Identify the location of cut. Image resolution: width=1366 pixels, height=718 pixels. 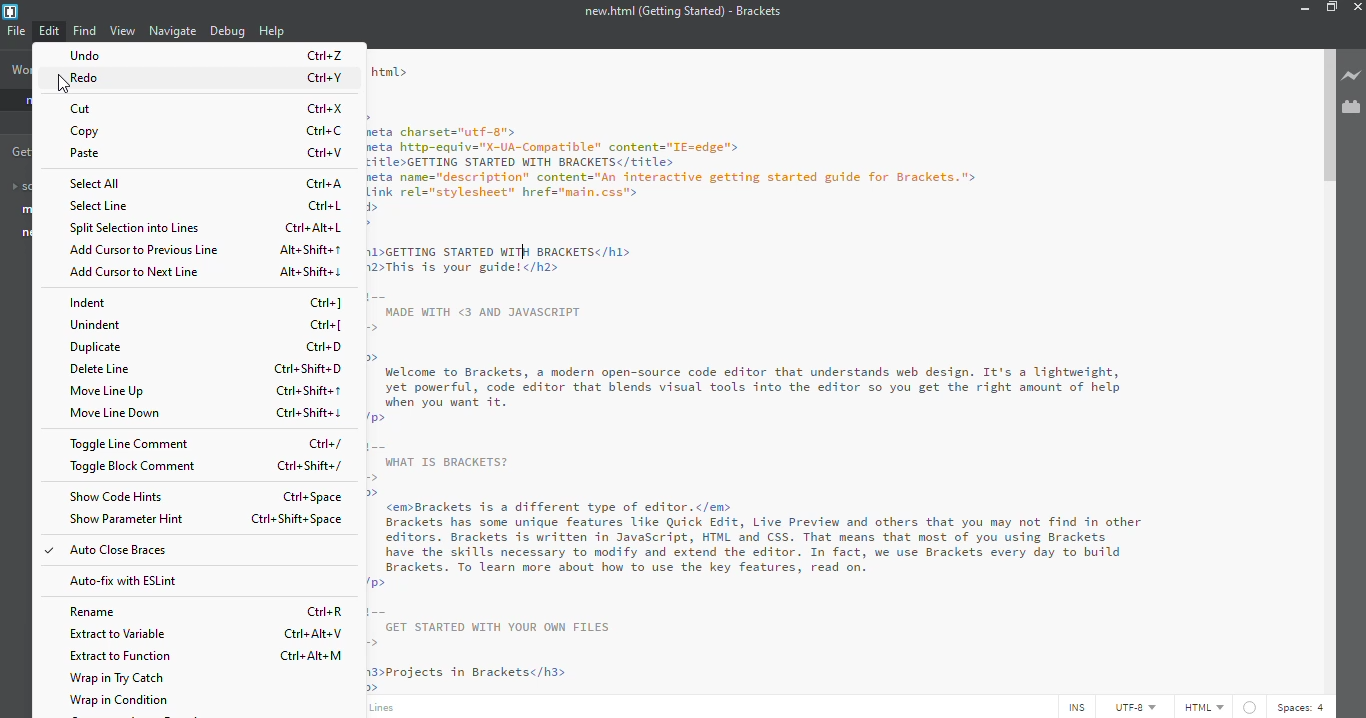
(86, 107).